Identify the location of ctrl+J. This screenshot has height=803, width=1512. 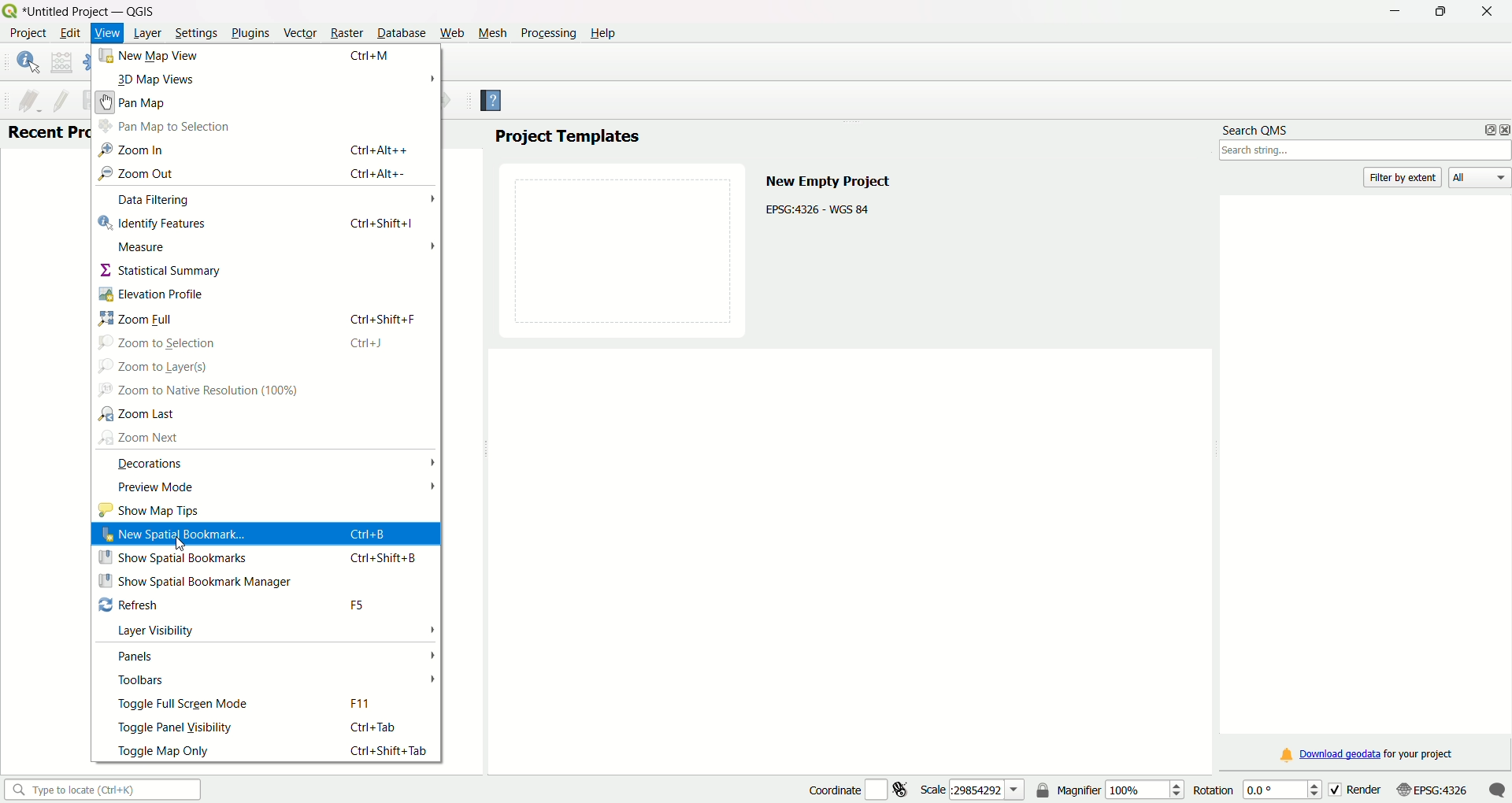
(370, 343).